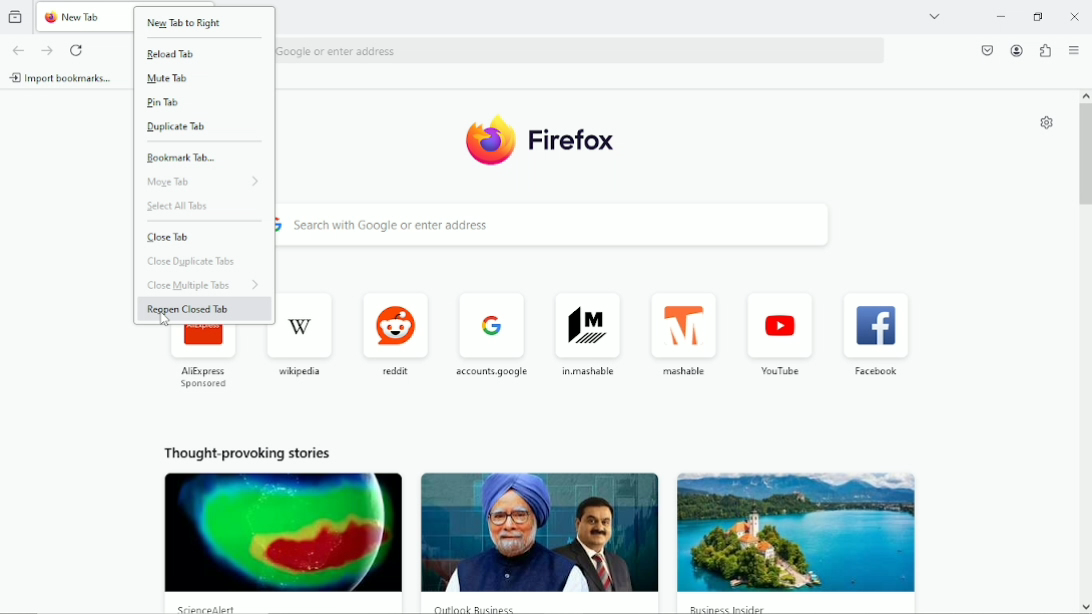  I want to click on account google, so click(486, 328).